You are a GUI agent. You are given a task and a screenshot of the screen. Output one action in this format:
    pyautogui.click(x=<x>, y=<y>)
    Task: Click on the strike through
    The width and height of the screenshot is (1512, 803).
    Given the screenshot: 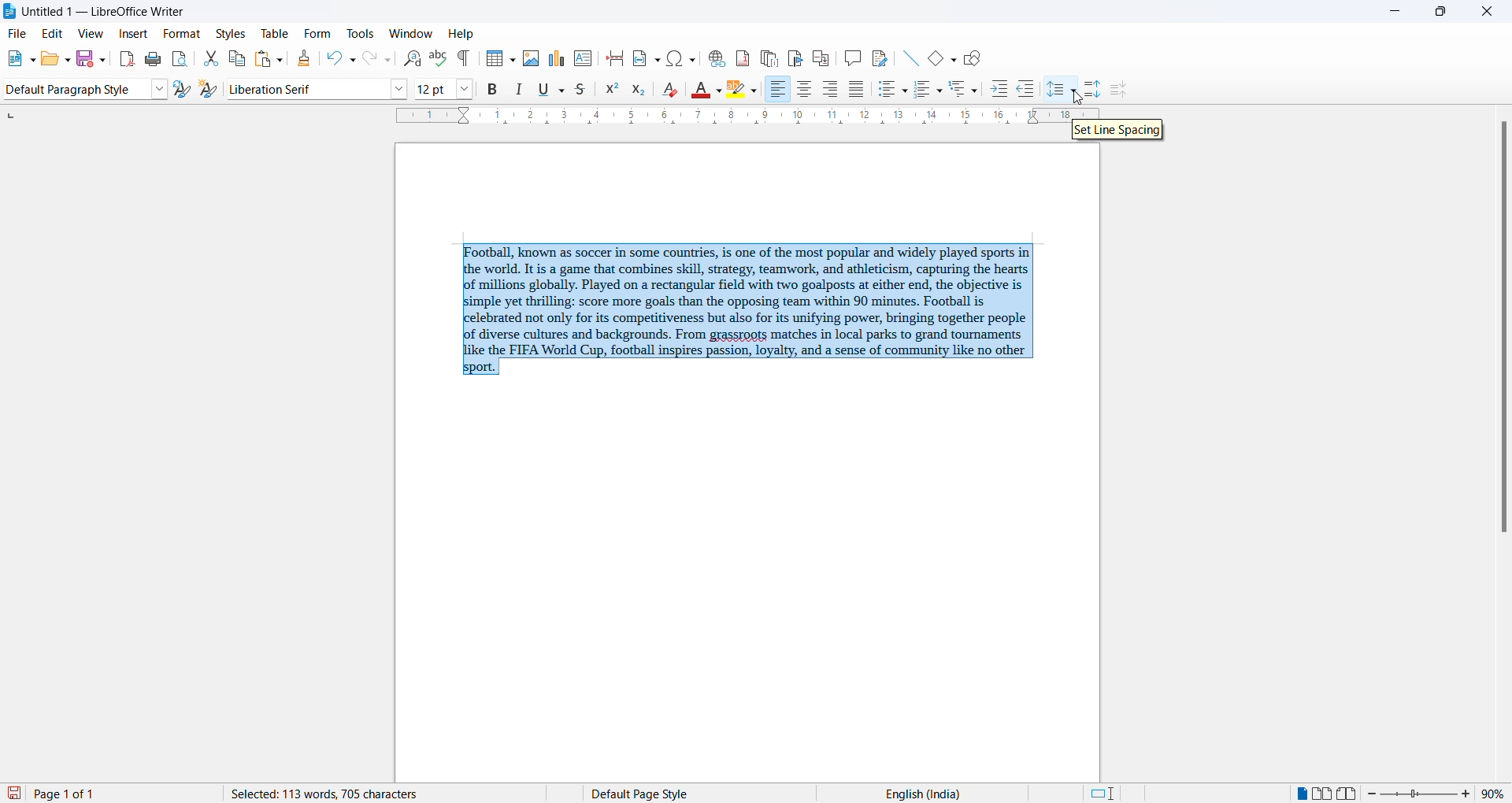 What is the action you would take?
    pyautogui.click(x=580, y=88)
    